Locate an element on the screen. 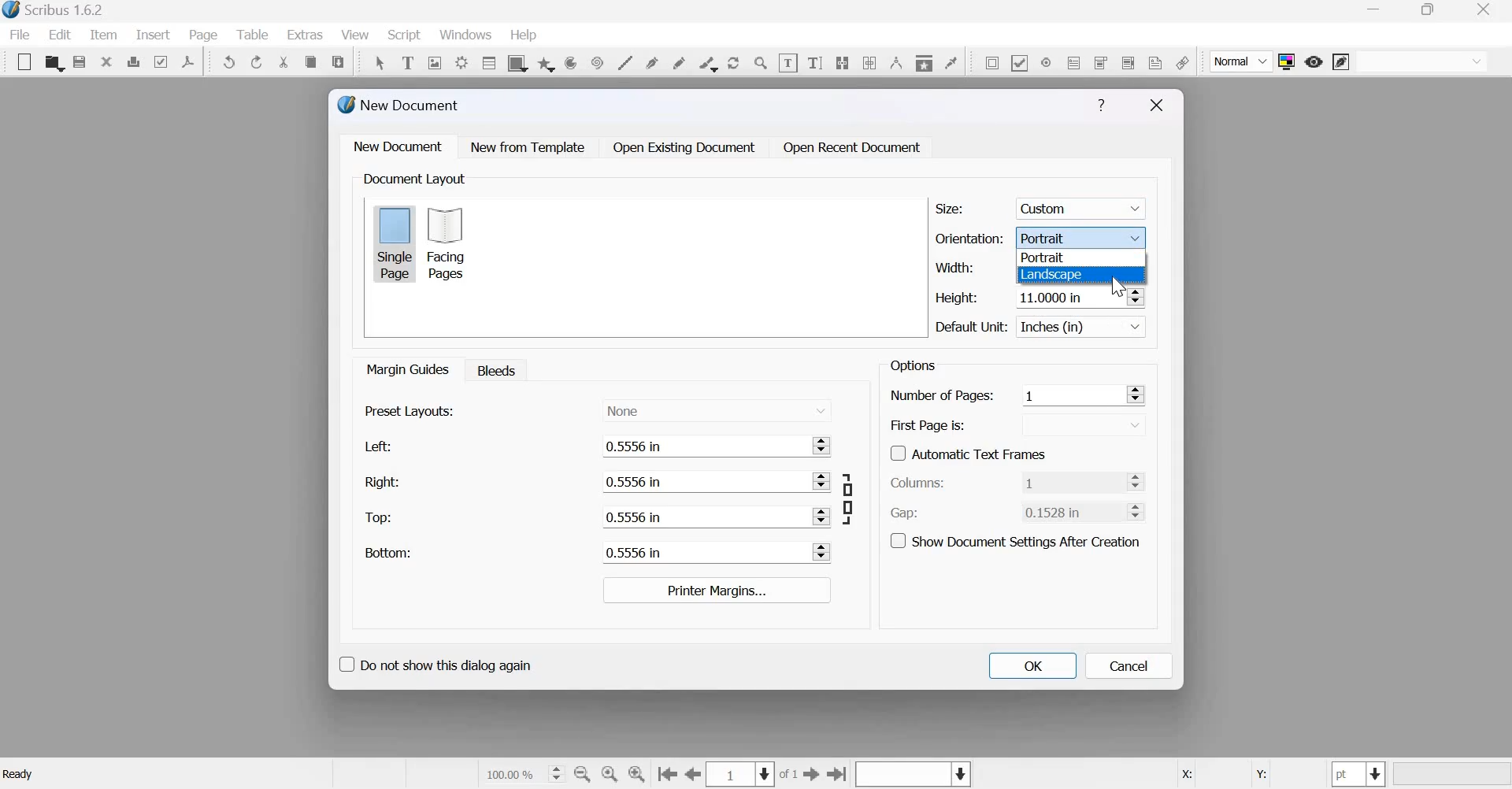 Image resolution: width=1512 pixels, height=789 pixels. Save as PDF is located at coordinates (189, 61).